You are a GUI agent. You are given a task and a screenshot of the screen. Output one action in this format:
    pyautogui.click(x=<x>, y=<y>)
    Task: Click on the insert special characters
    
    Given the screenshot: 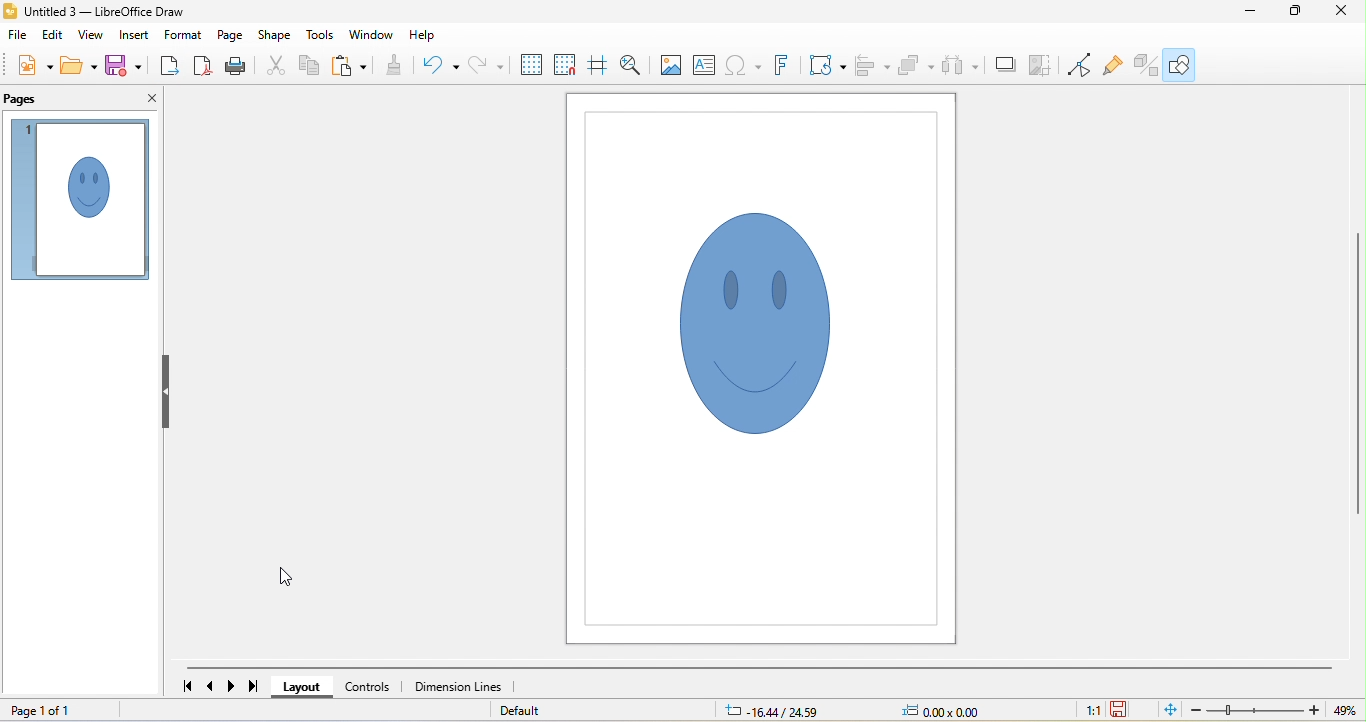 What is the action you would take?
    pyautogui.click(x=744, y=66)
    